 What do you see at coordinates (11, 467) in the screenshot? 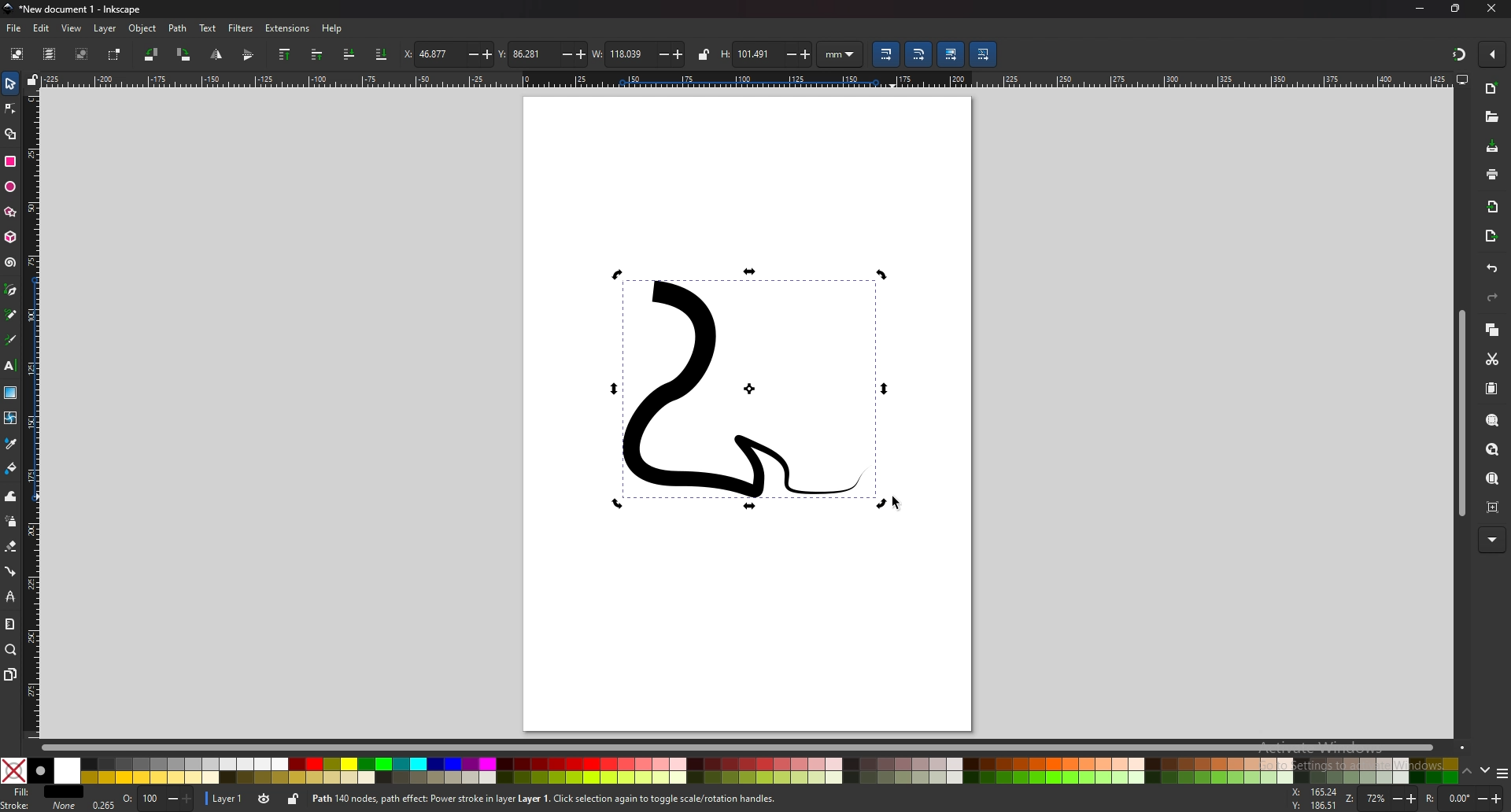
I see `paint bucket` at bounding box center [11, 467].